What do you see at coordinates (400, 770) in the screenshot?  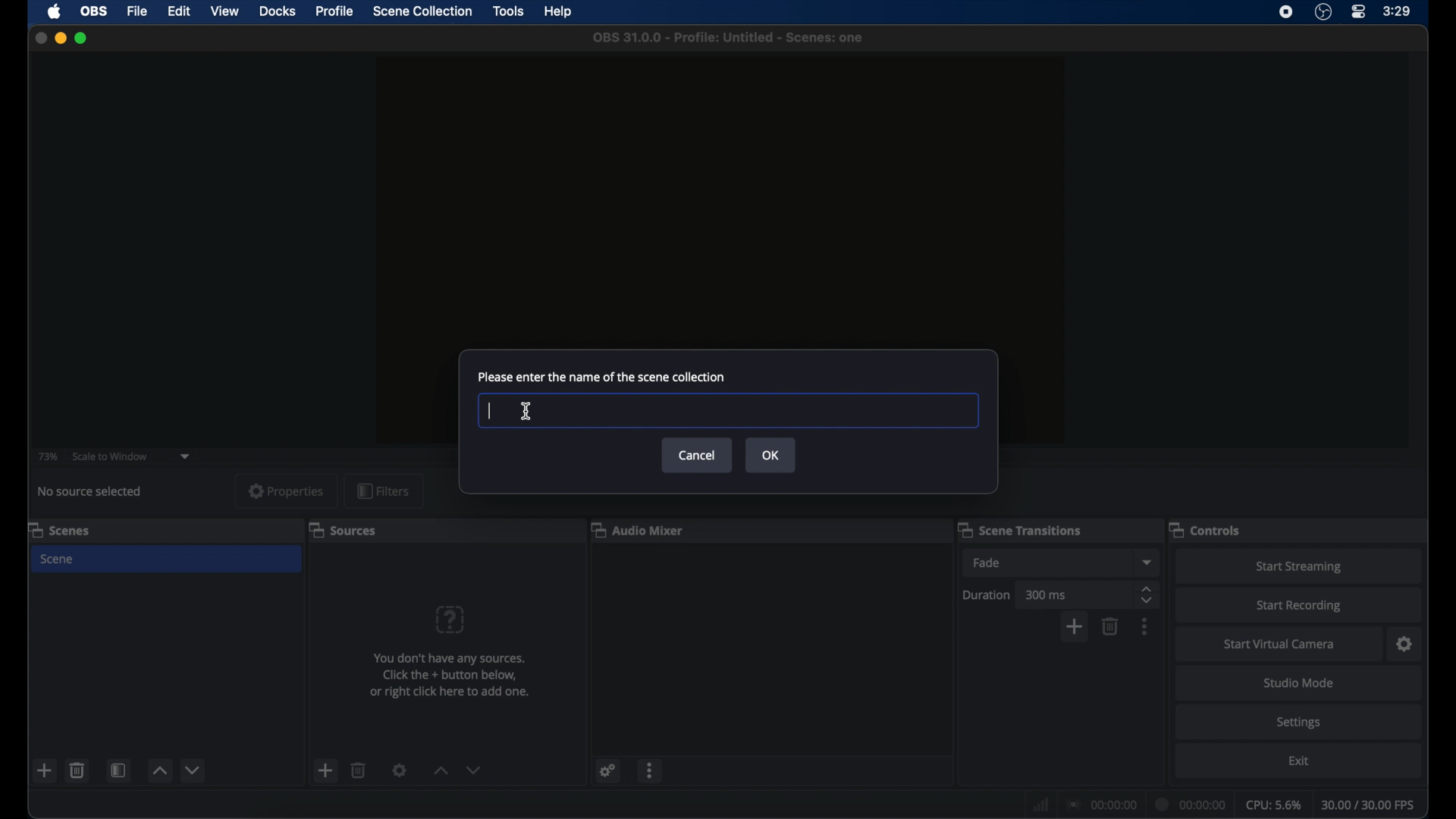 I see `settings` at bounding box center [400, 770].